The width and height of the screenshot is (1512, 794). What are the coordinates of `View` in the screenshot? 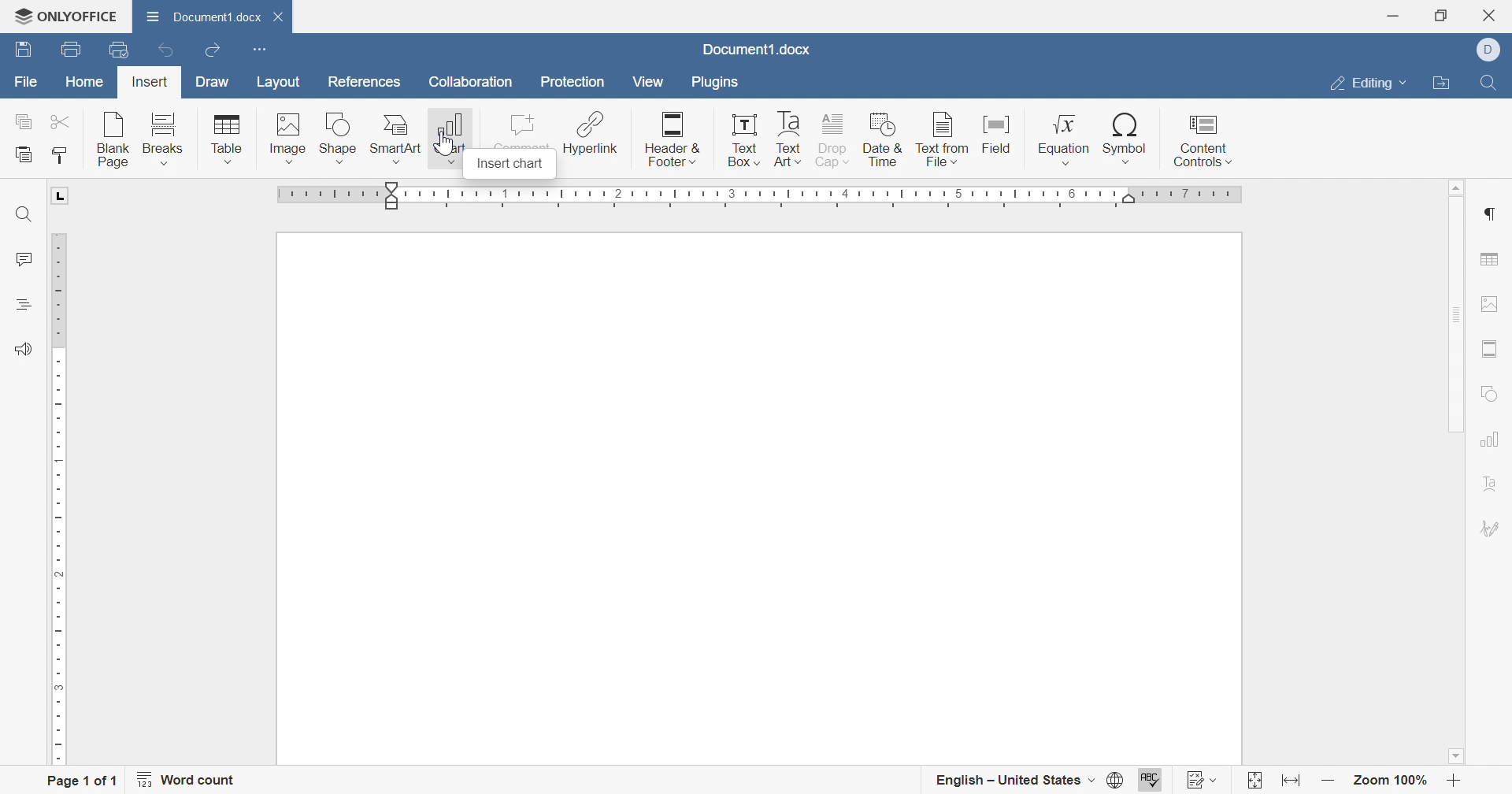 It's located at (649, 82).